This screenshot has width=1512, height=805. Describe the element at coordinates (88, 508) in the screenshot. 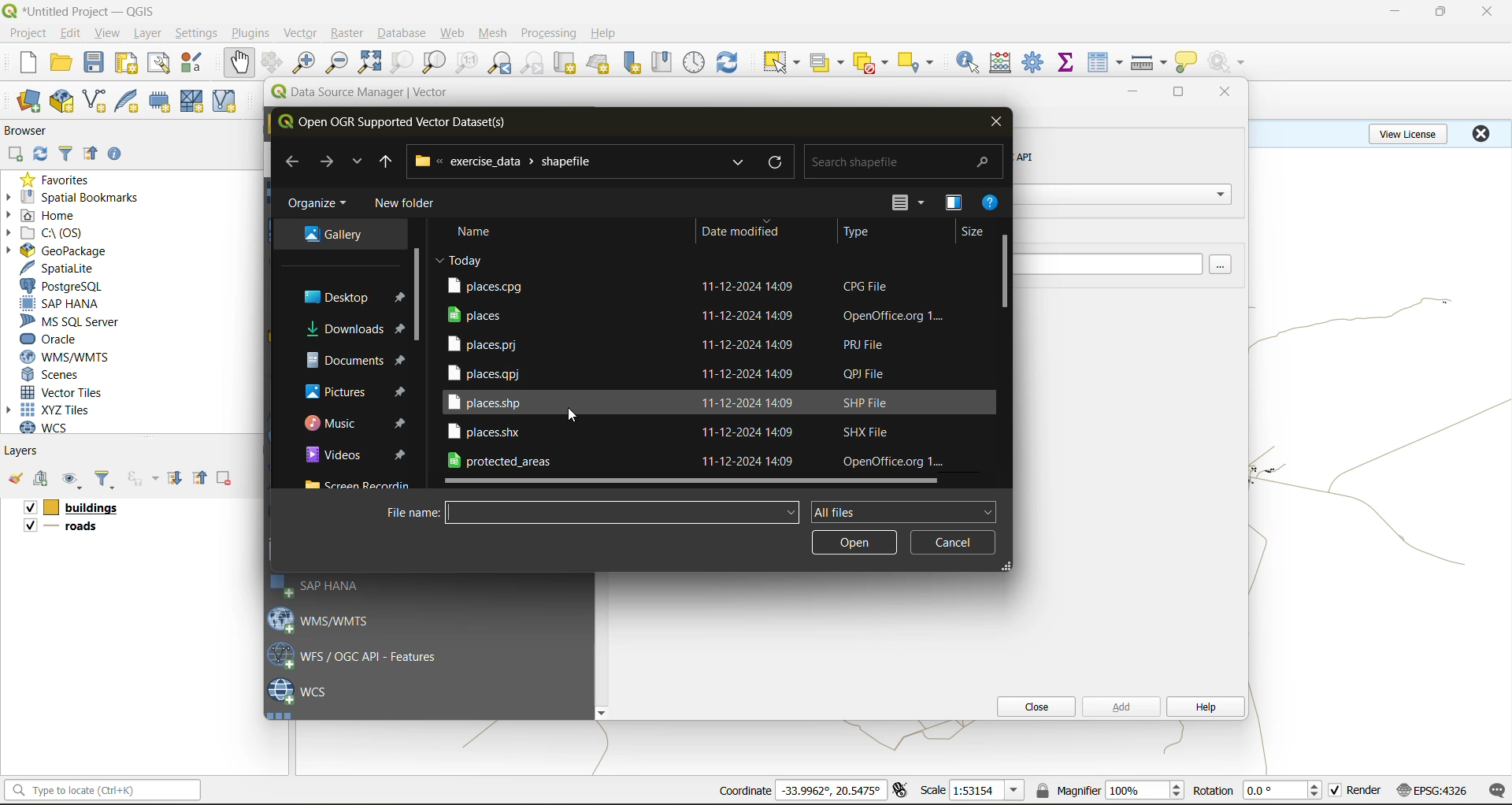

I see `layers` at that location.